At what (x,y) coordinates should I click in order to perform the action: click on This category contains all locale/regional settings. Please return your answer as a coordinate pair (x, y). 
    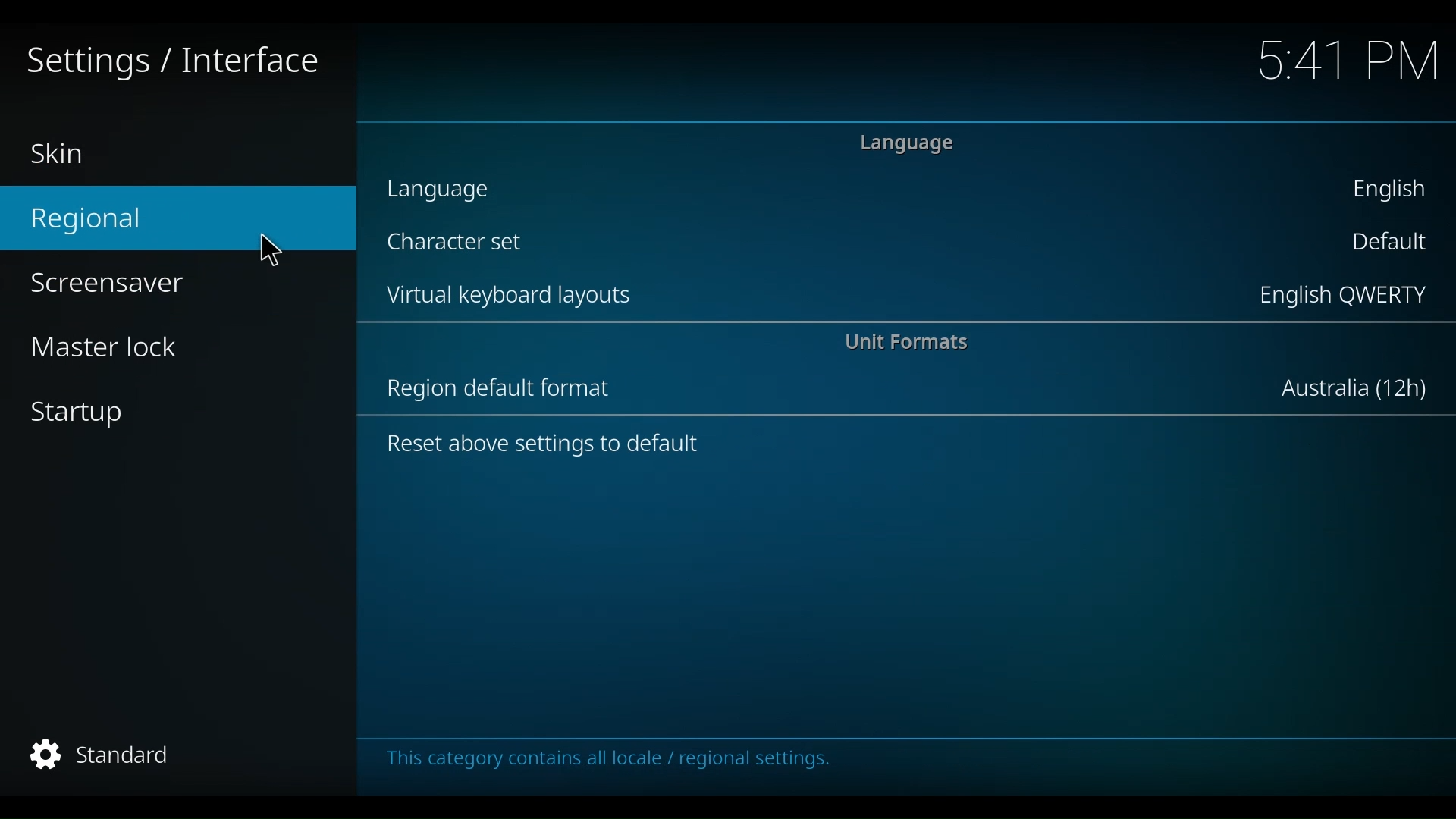
    Looking at the image, I should click on (620, 758).